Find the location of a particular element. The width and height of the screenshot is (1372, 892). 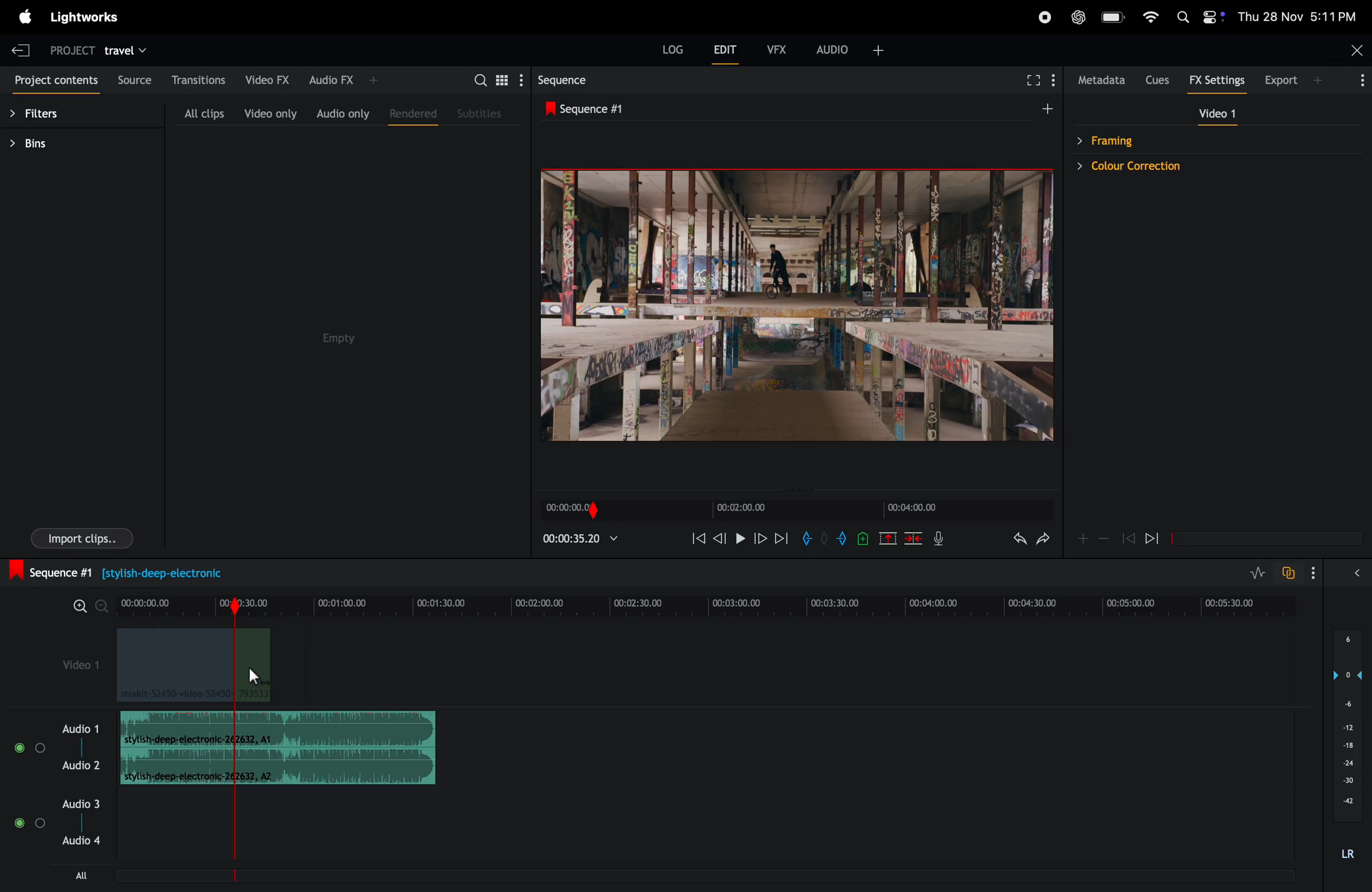

source is located at coordinates (133, 78).